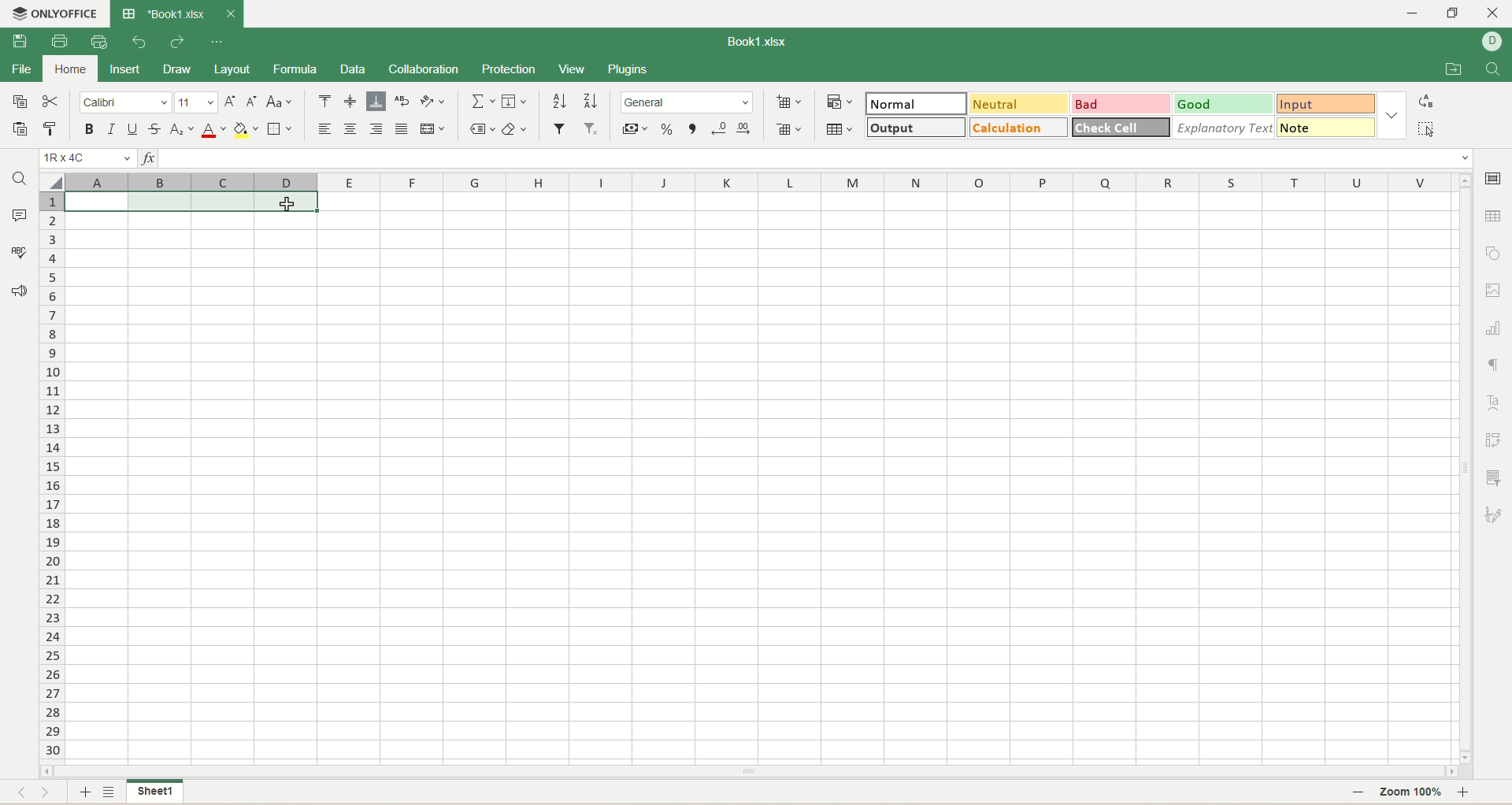  What do you see at coordinates (755, 180) in the screenshot?
I see `column name` at bounding box center [755, 180].